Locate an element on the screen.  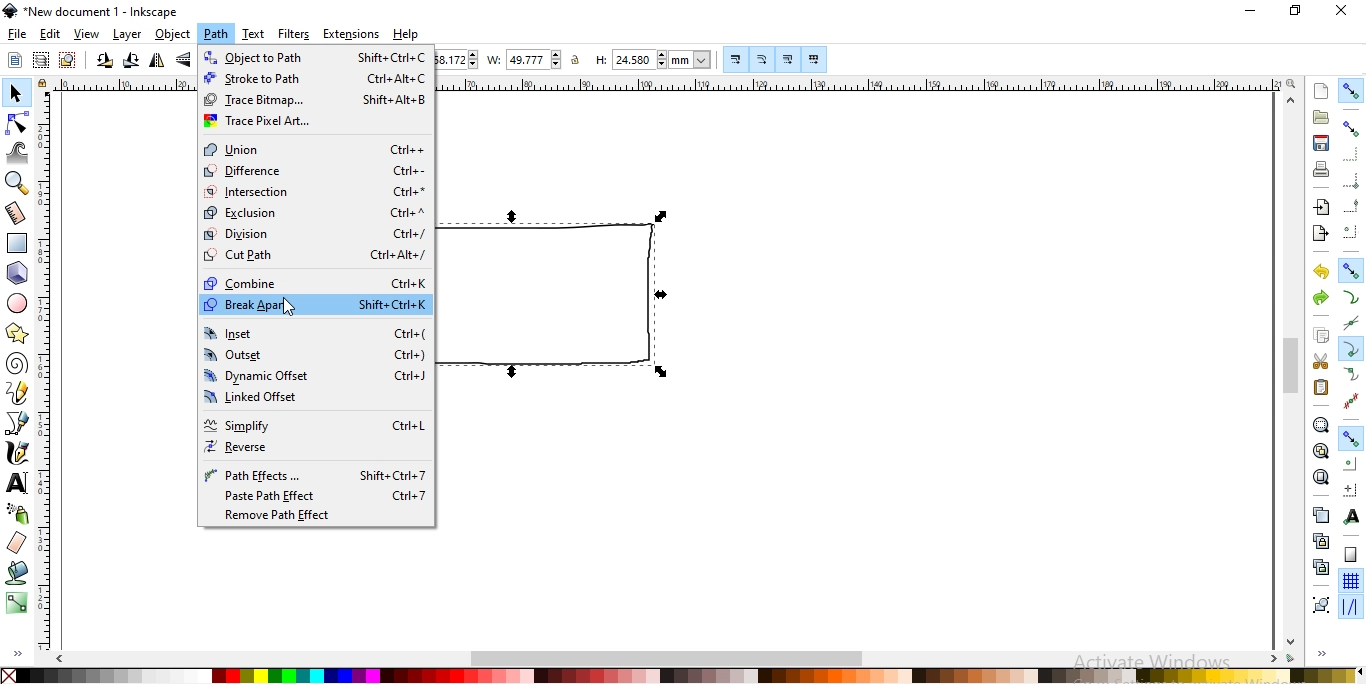
restore down is located at coordinates (1294, 12).